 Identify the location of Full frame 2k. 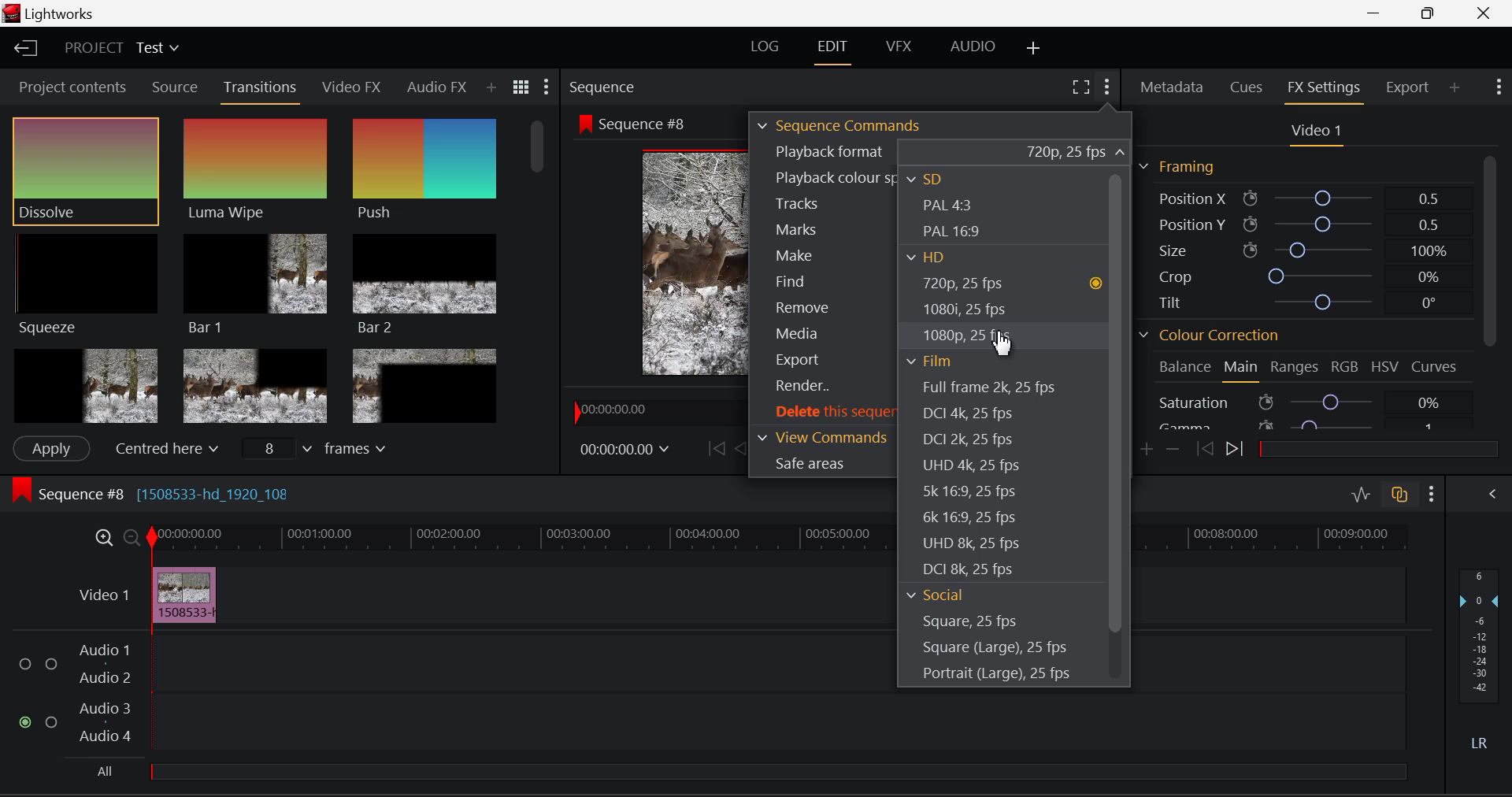
(988, 387).